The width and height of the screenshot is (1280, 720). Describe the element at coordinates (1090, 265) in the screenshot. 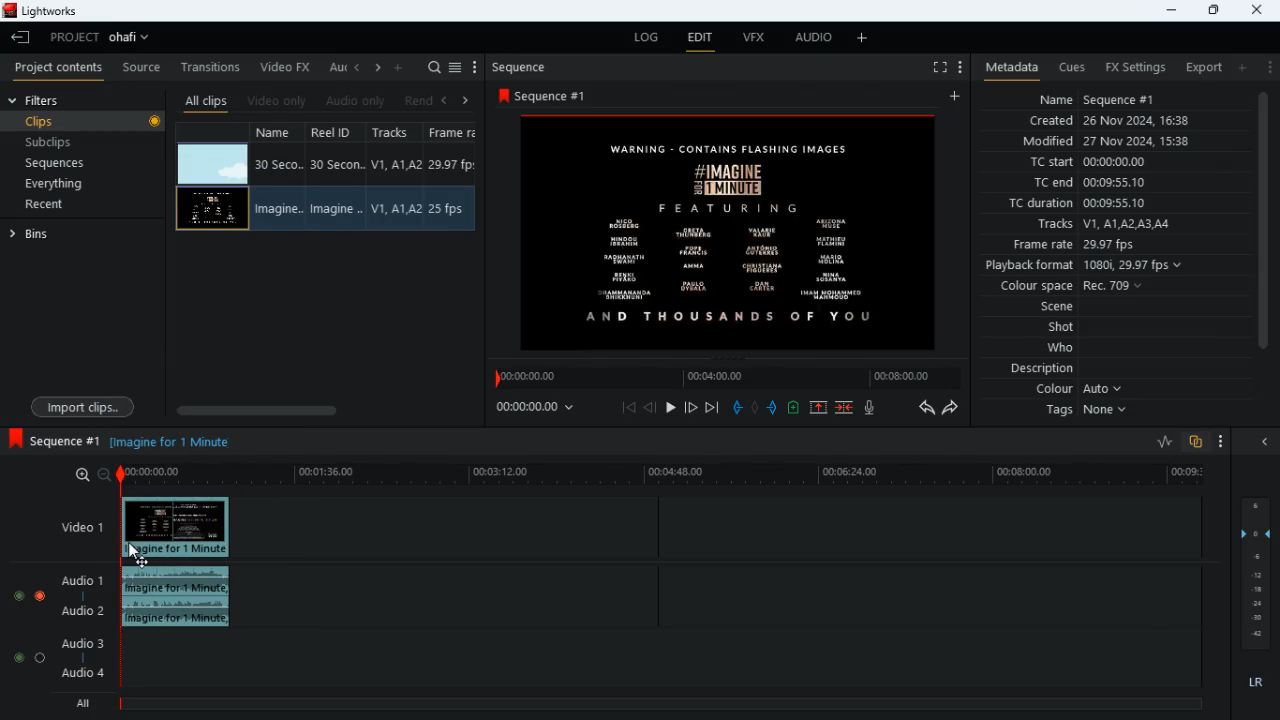

I see `playback format` at that location.